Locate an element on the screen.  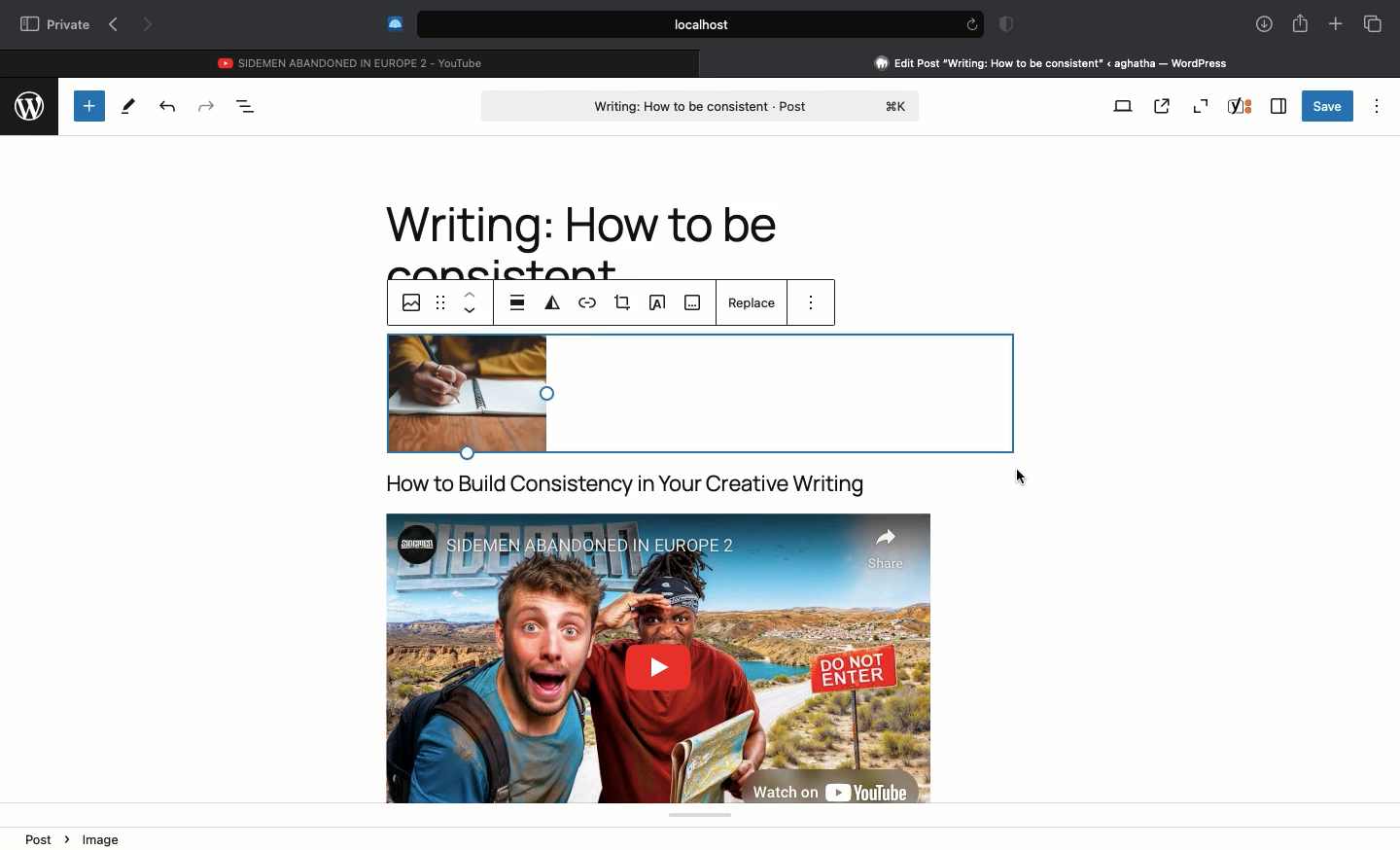
slide is located at coordinates (694, 301).